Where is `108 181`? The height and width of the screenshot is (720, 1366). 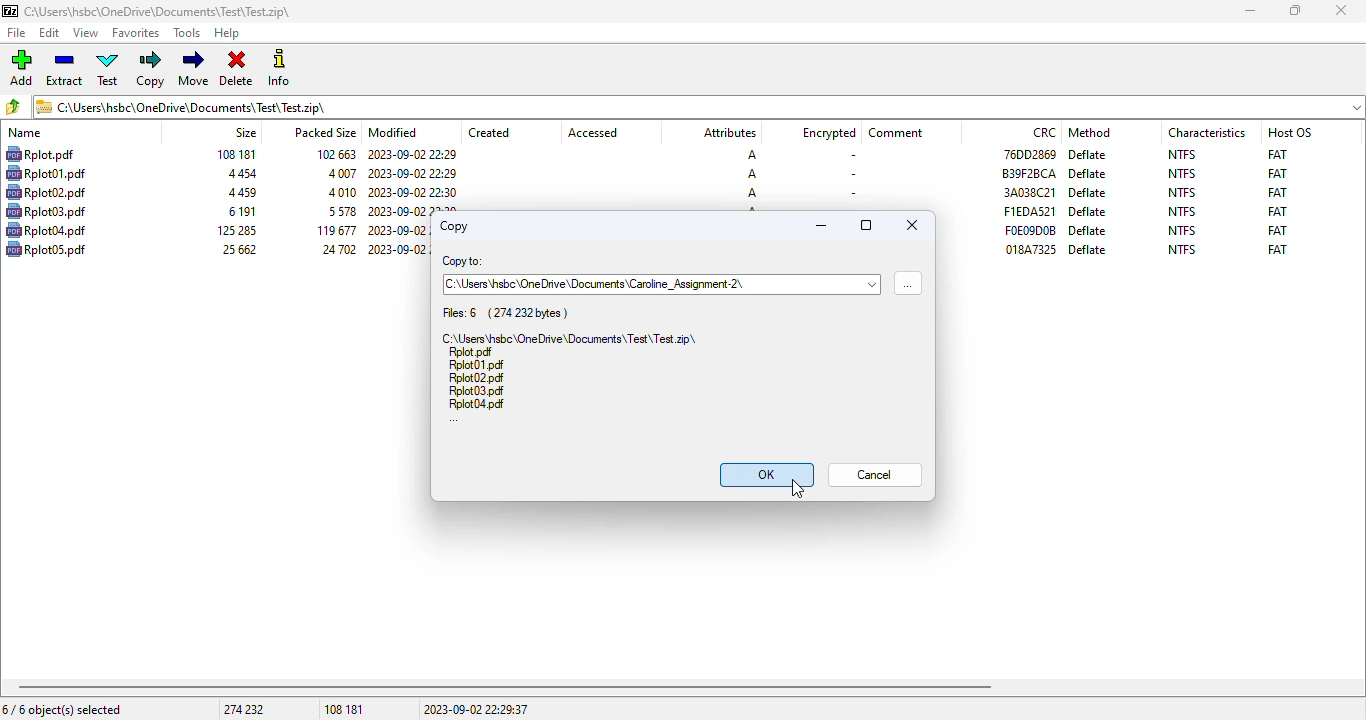 108 181 is located at coordinates (344, 710).